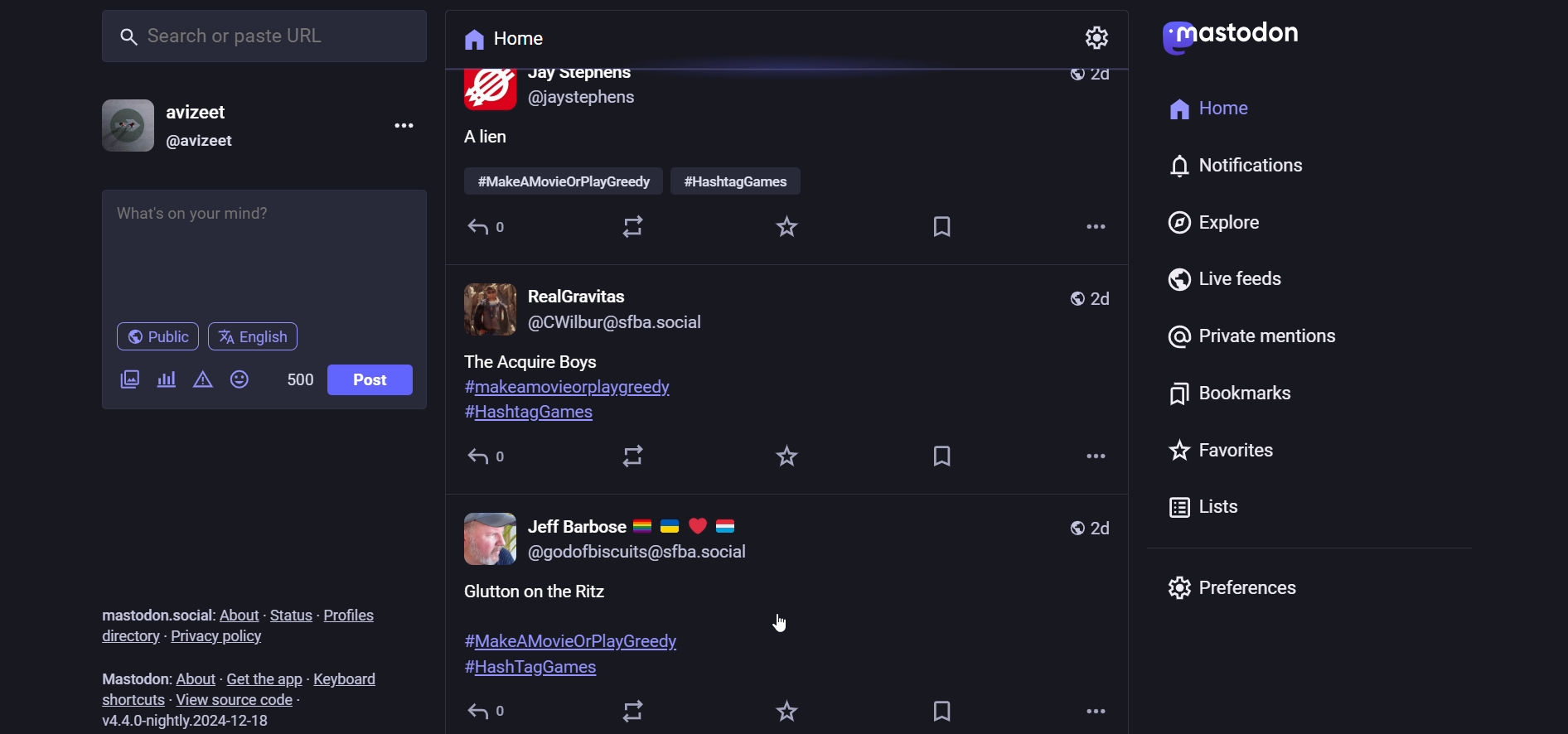 Image resolution: width=1568 pixels, height=734 pixels. Describe the element at coordinates (133, 699) in the screenshot. I see `shortcut` at that location.